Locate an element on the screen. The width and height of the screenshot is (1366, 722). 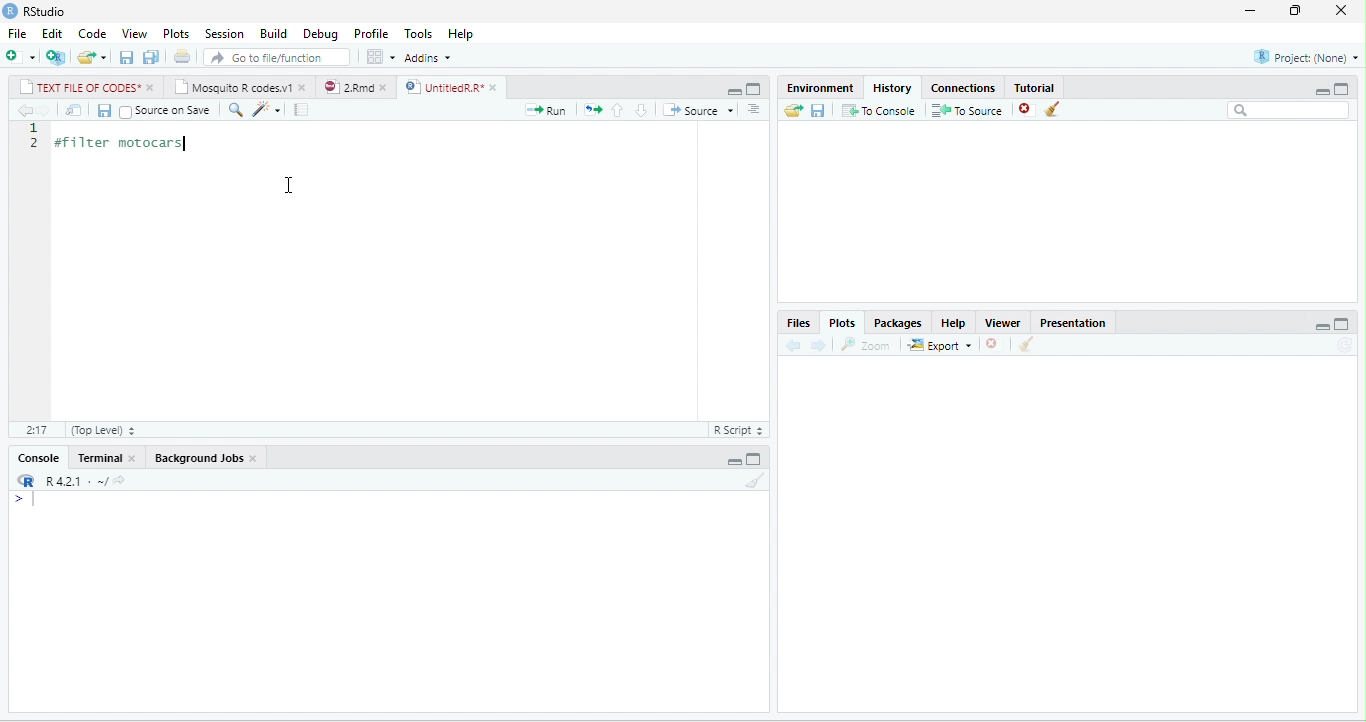
maximize is located at coordinates (1342, 324).